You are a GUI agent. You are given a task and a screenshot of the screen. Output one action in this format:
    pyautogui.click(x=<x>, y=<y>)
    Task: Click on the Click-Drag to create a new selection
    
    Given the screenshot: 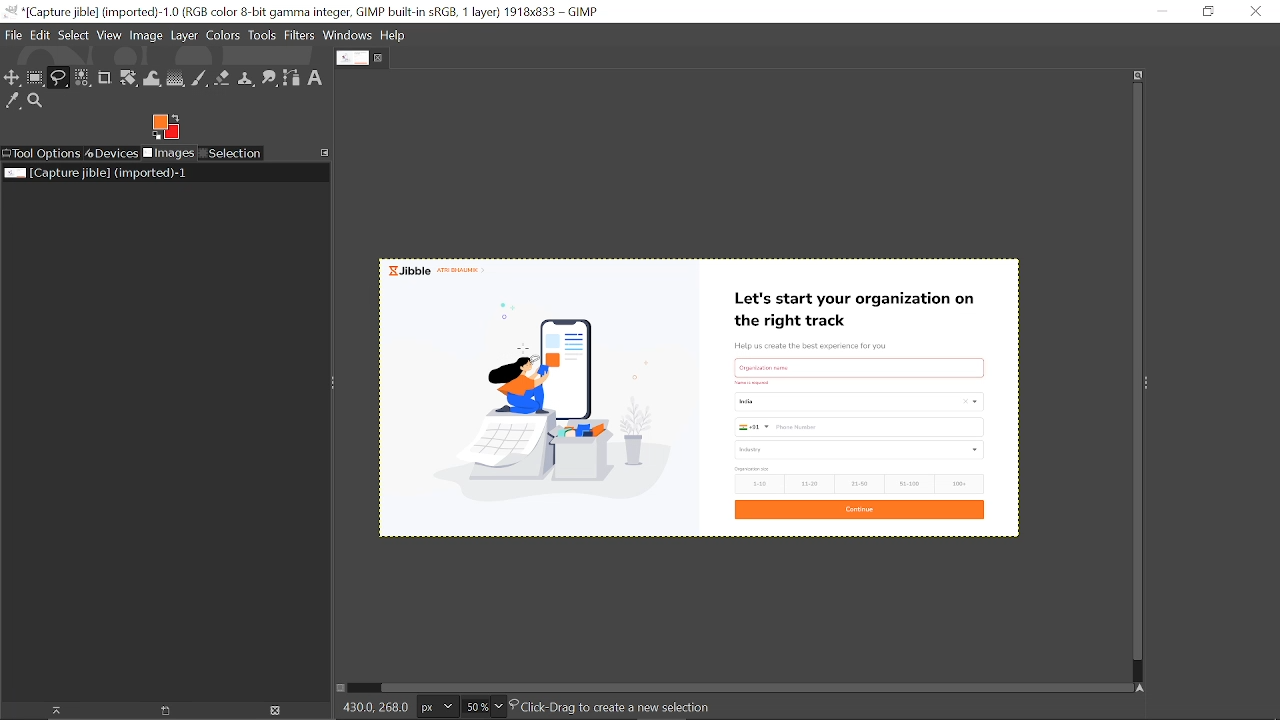 What is the action you would take?
    pyautogui.click(x=618, y=707)
    